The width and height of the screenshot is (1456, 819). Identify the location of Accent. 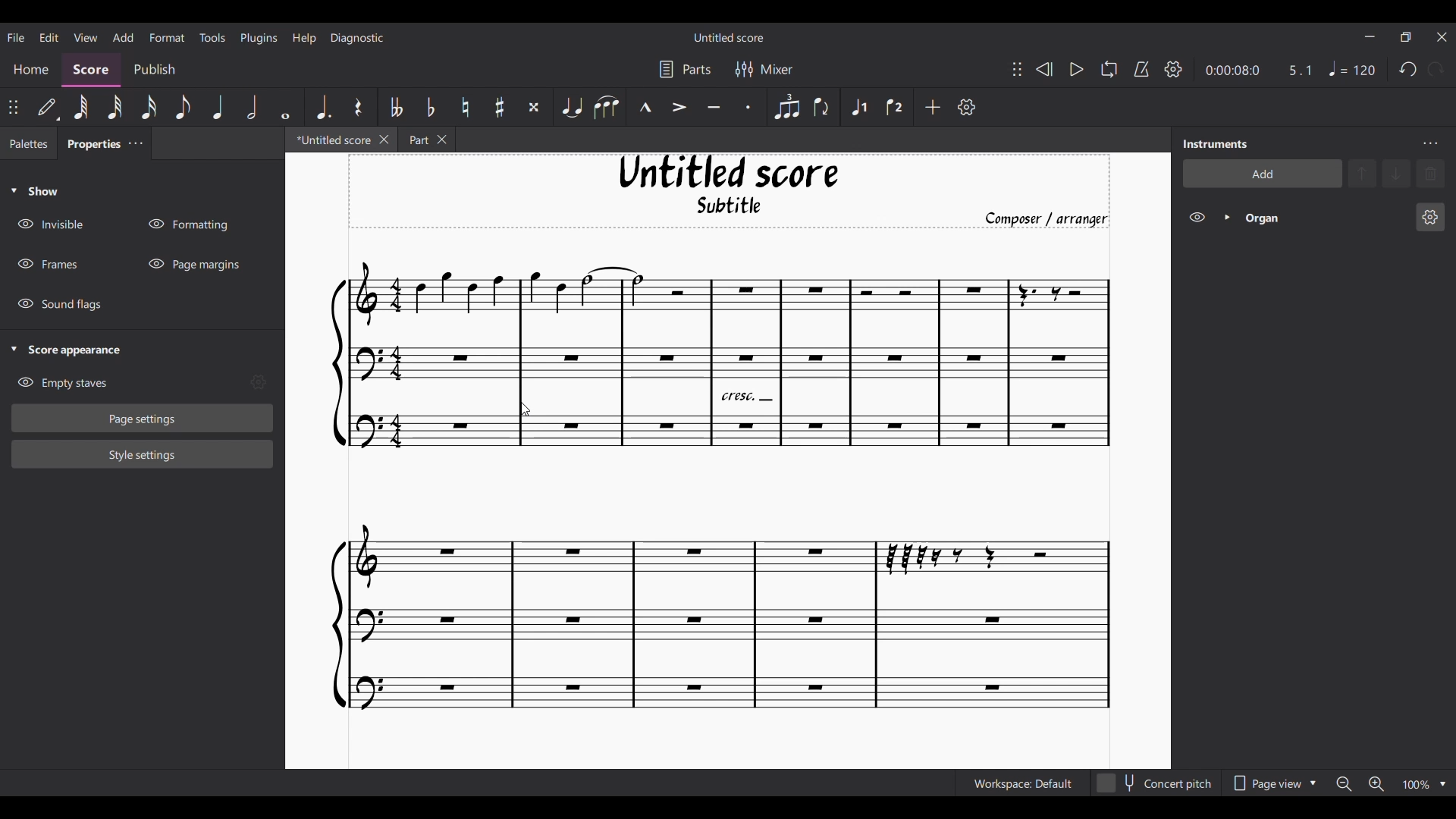
(679, 108).